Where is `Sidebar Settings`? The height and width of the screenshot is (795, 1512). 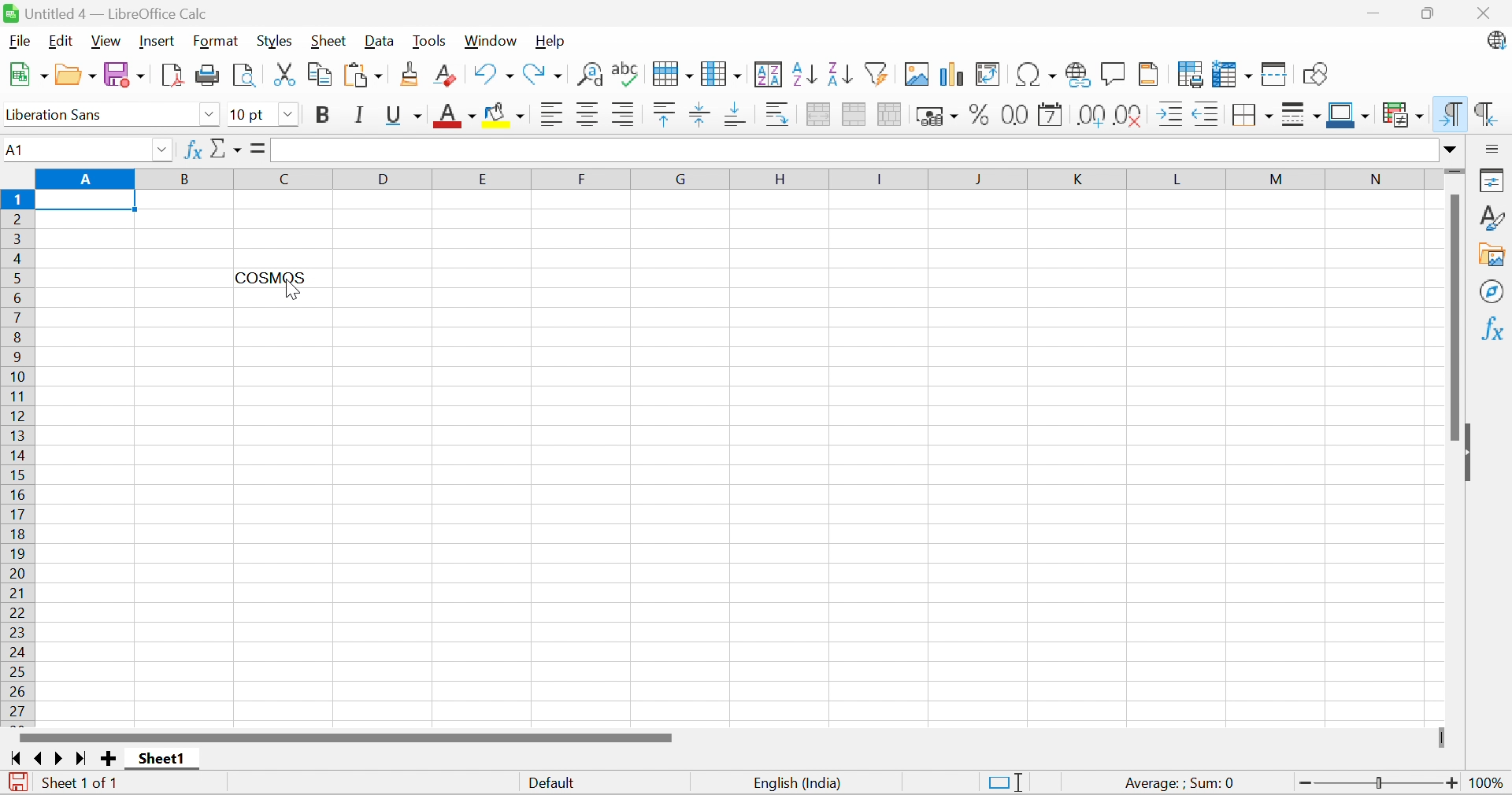 Sidebar Settings is located at coordinates (1495, 148).